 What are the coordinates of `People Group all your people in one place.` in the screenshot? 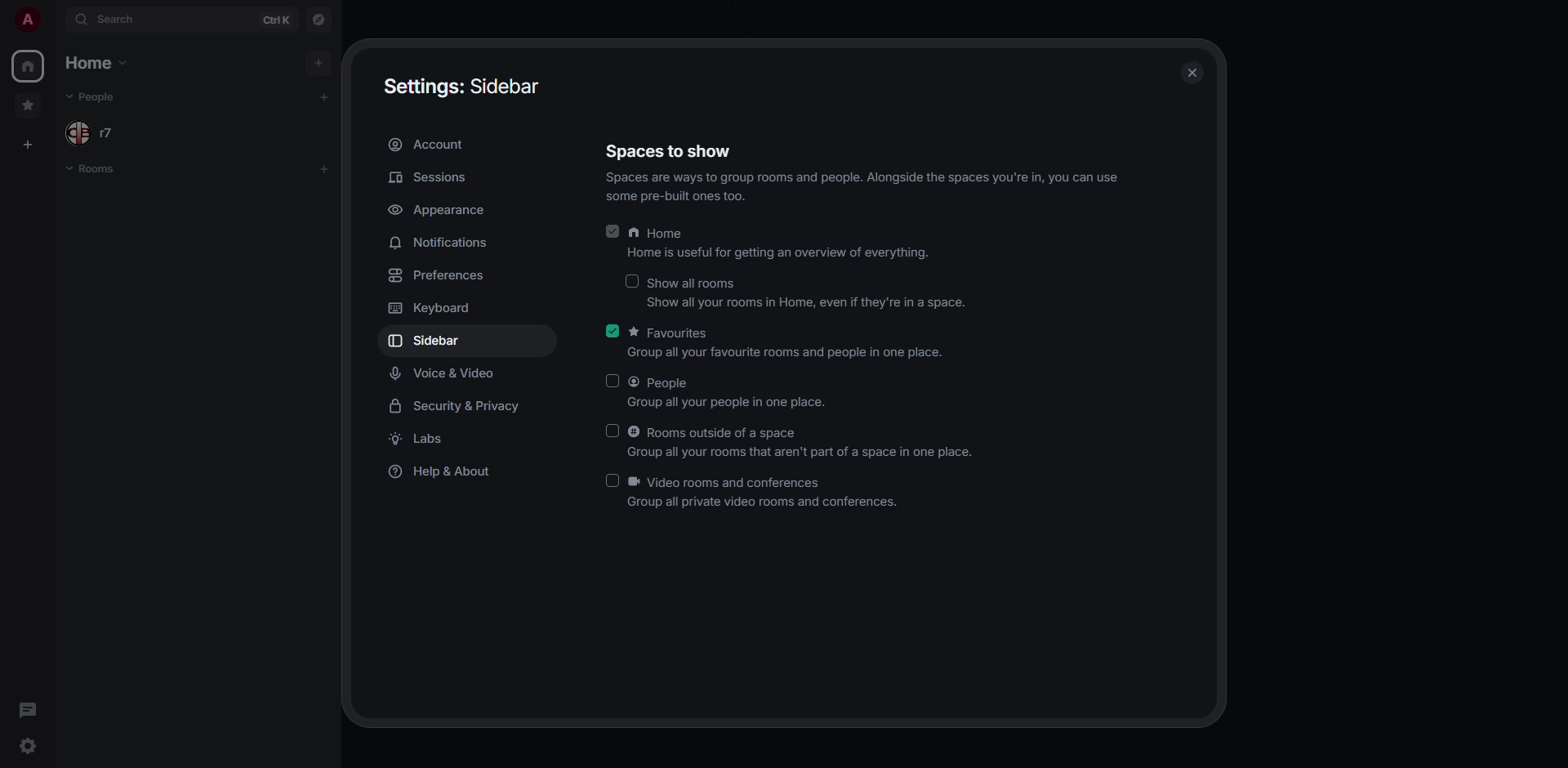 It's located at (728, 392).